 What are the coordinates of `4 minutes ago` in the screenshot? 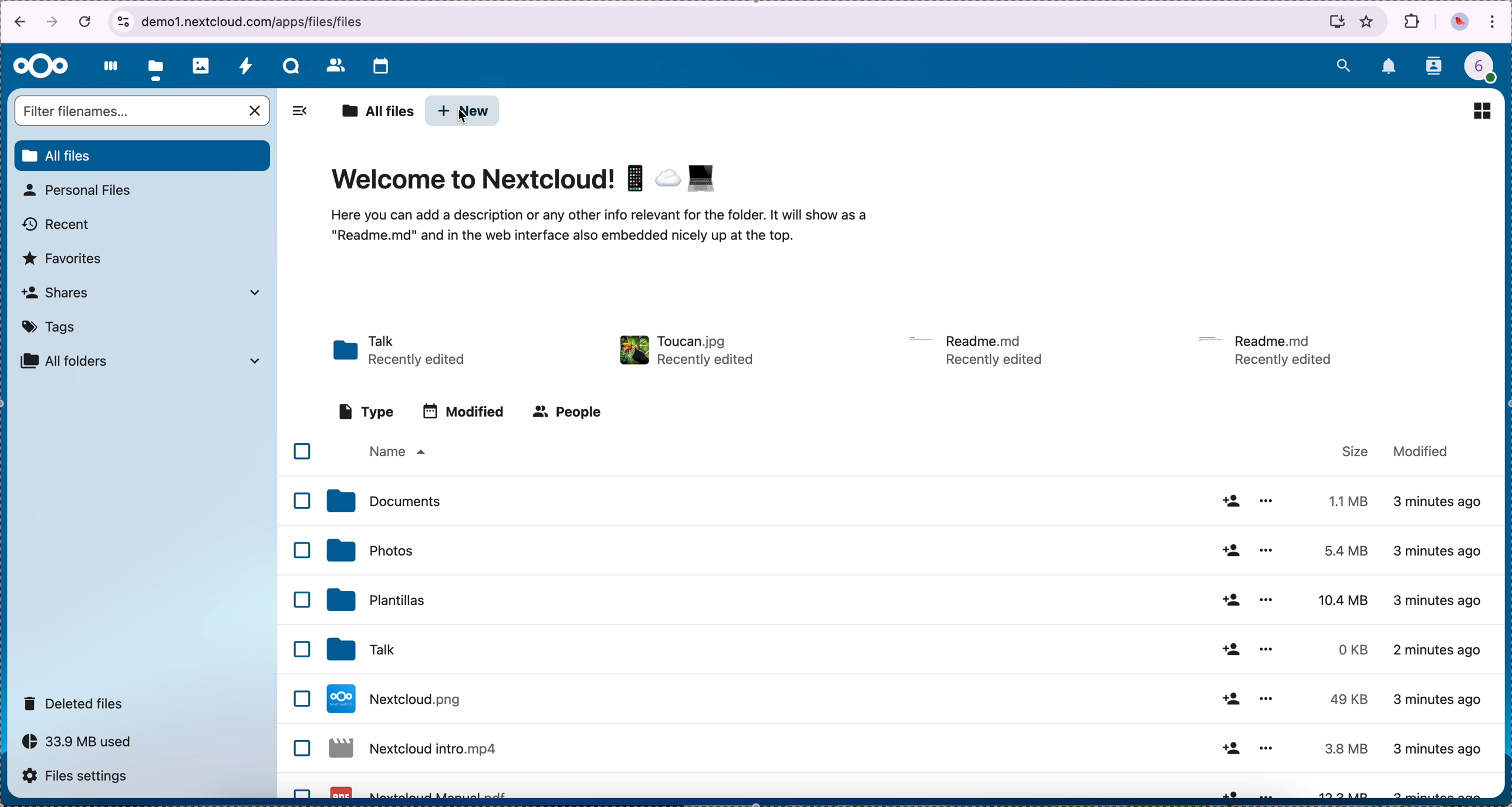 It's located at (1440, 551).